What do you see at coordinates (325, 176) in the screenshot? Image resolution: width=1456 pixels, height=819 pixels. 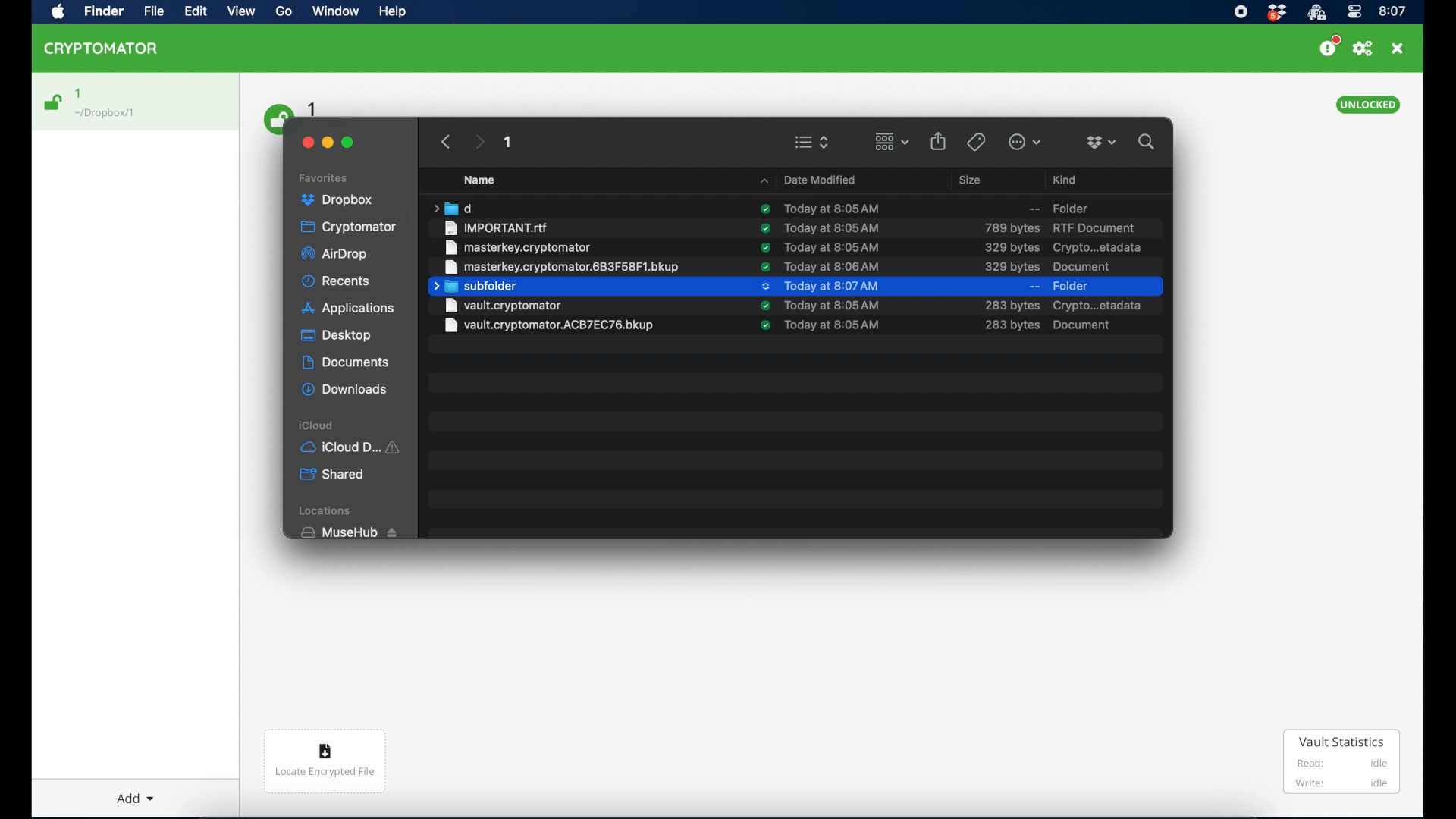 I see `favorites` at bounding box center [325, 176].